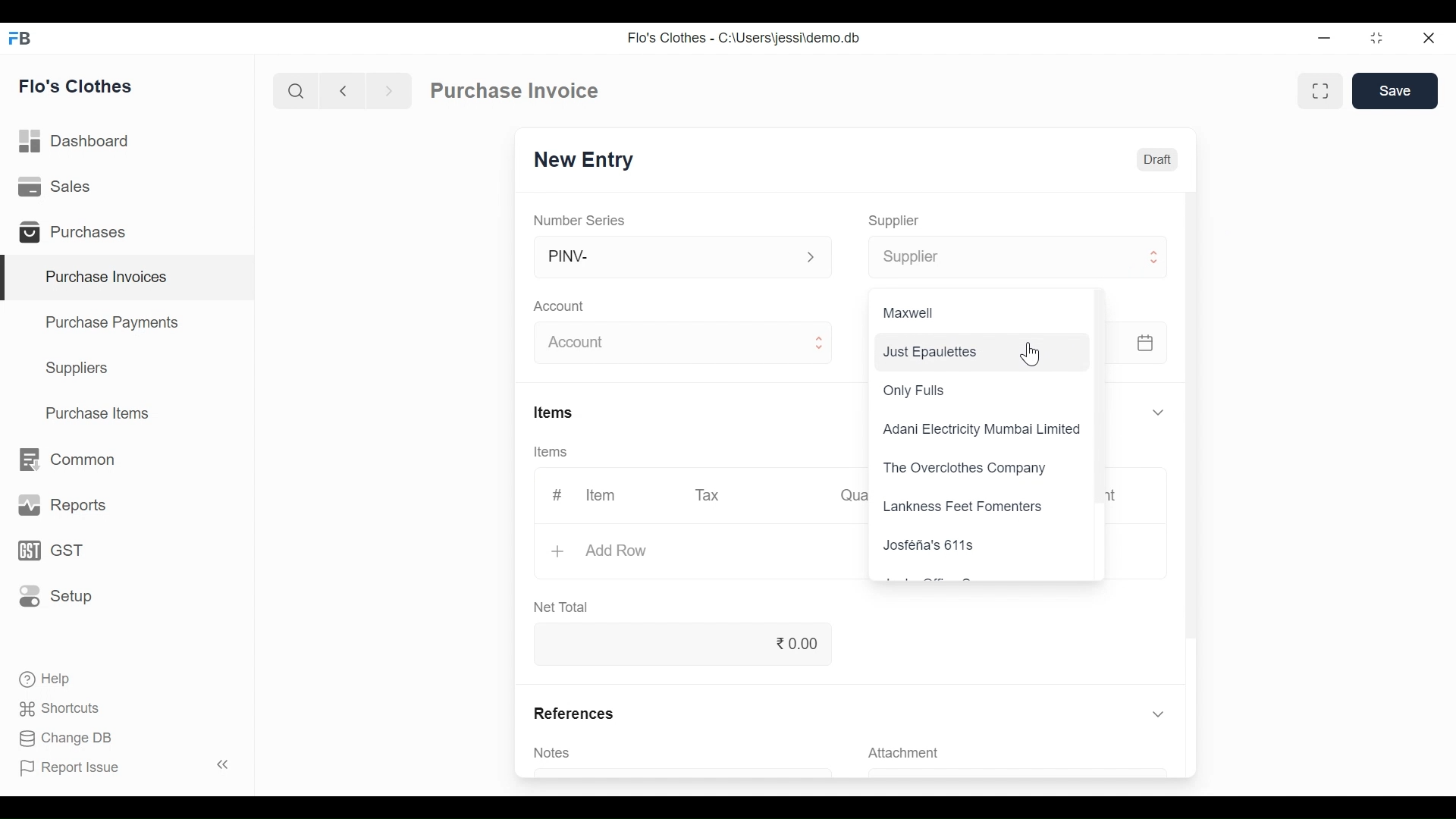 This screenshot has height=819, width=1456. Describe the element at coordinates (297, 90) in the screenshot. I see `Search` at that location.